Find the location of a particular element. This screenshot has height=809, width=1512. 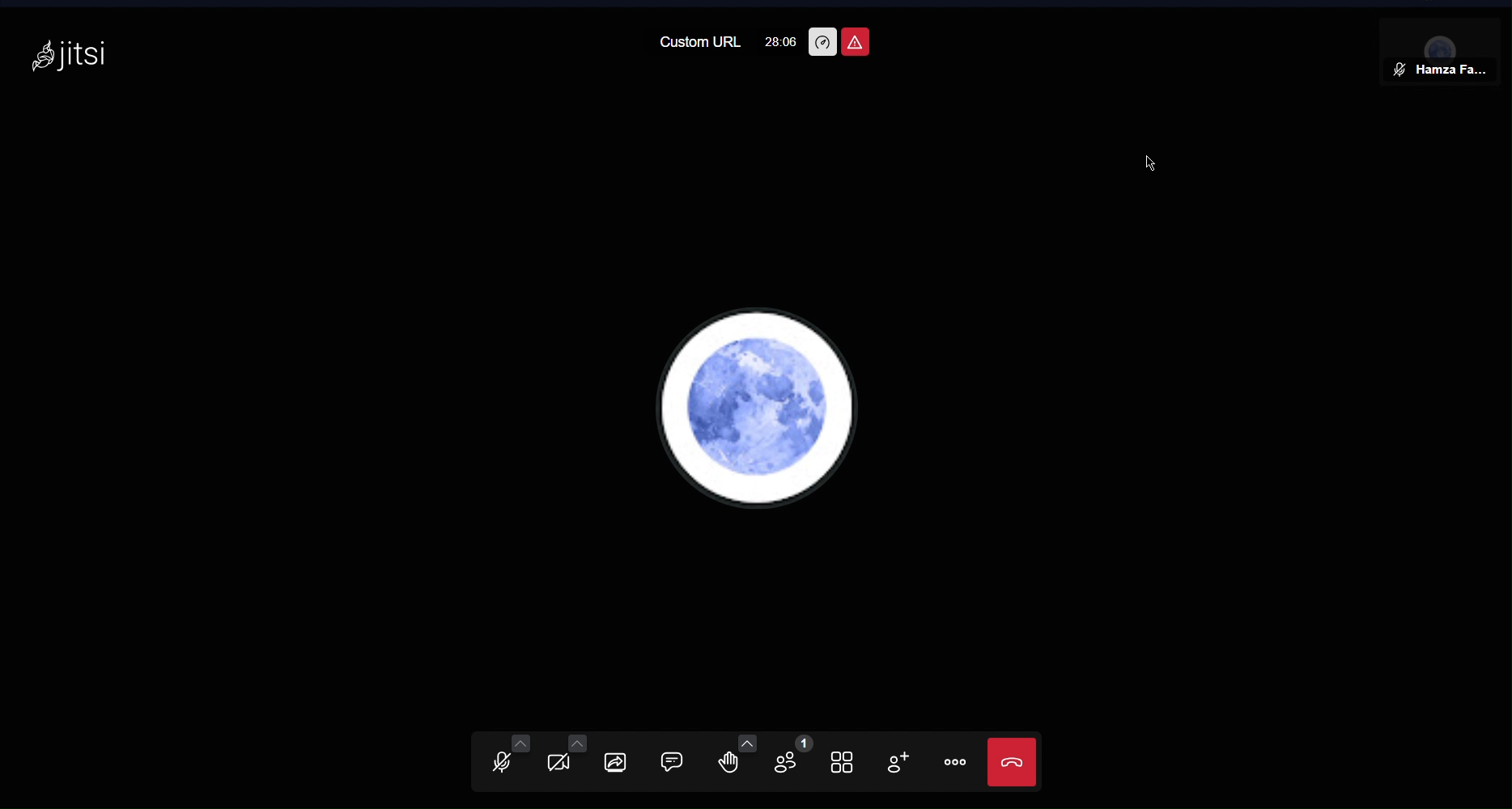

Audio is located at coordinates (501, 760).